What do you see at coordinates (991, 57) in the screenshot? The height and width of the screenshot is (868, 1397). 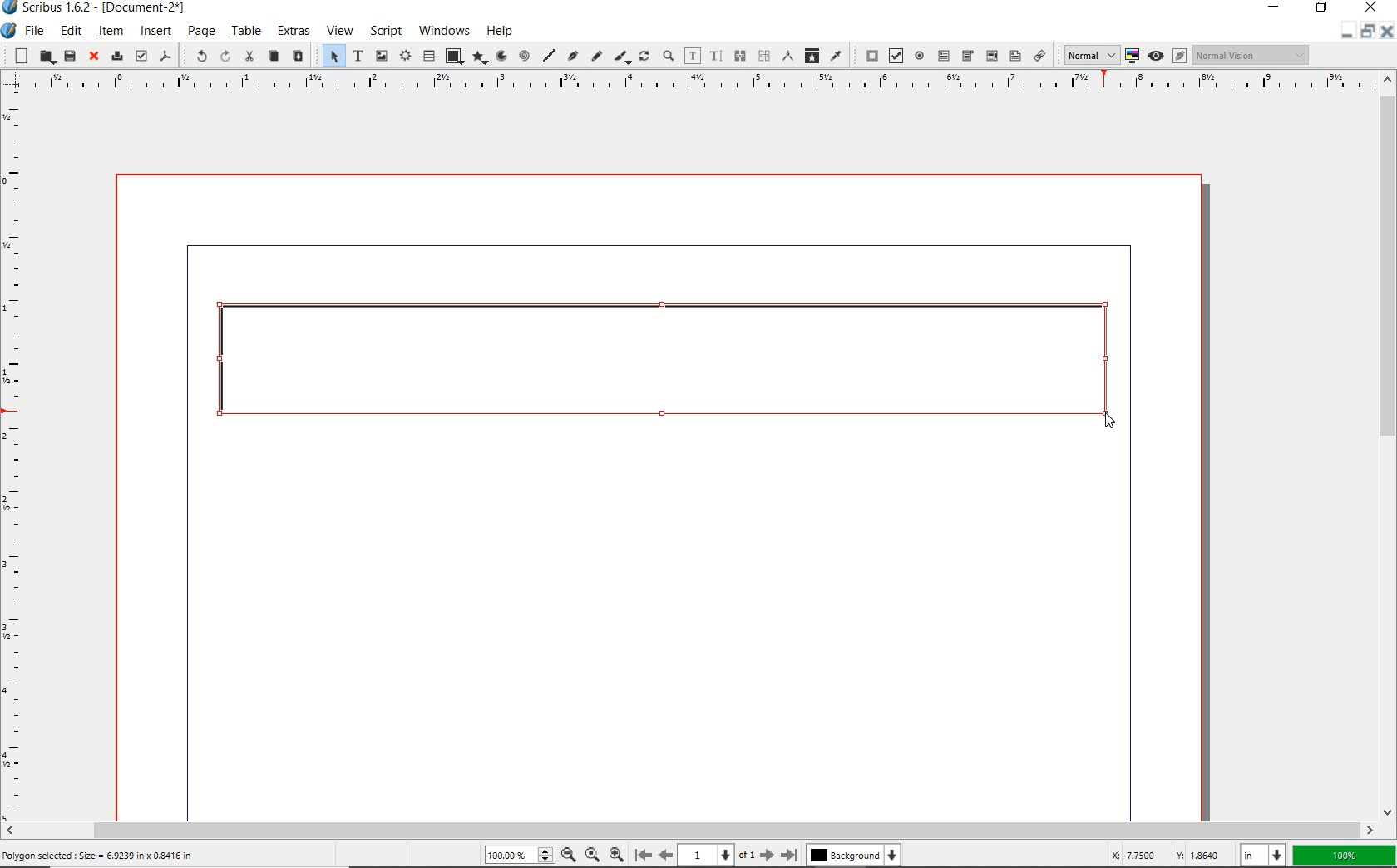 I see `pdf combo box` at bounding box center [991, 57].